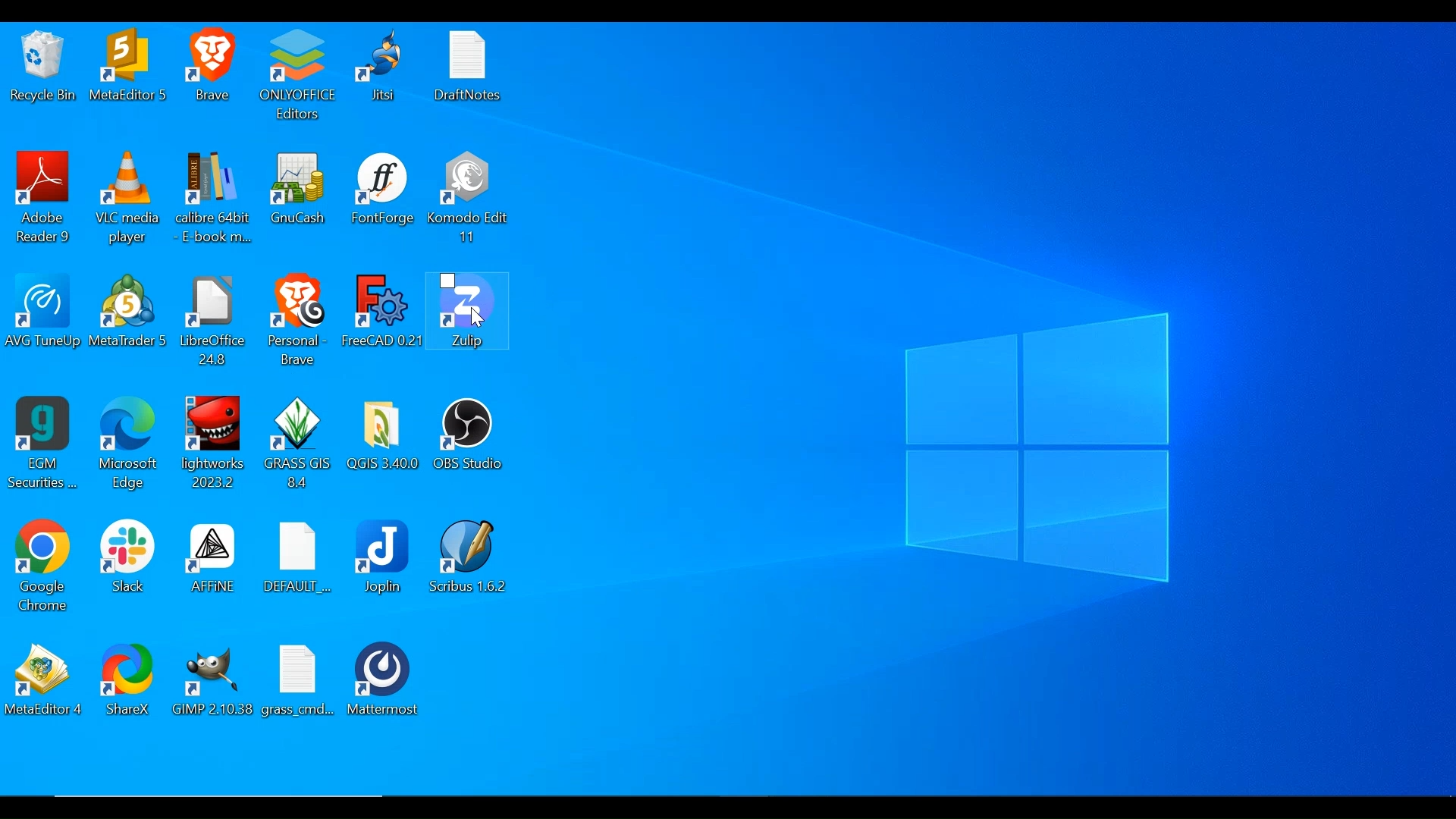 This screenshot has height=819, width=1456. What do you see at coordinates (383, 435) in the screenshot?
I see `QGIS Folder` at bounding box center [383, 435].